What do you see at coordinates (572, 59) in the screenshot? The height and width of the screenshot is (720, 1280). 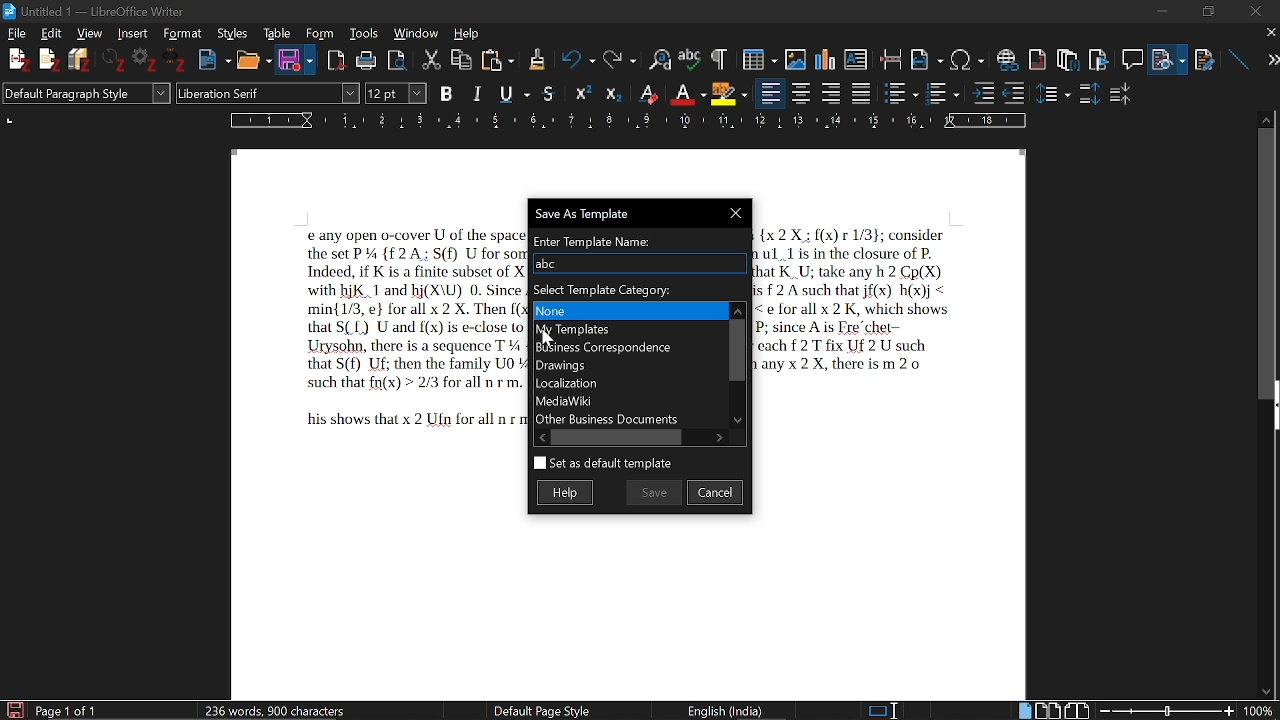 I see `Undo` at bounding box center [572, 59].